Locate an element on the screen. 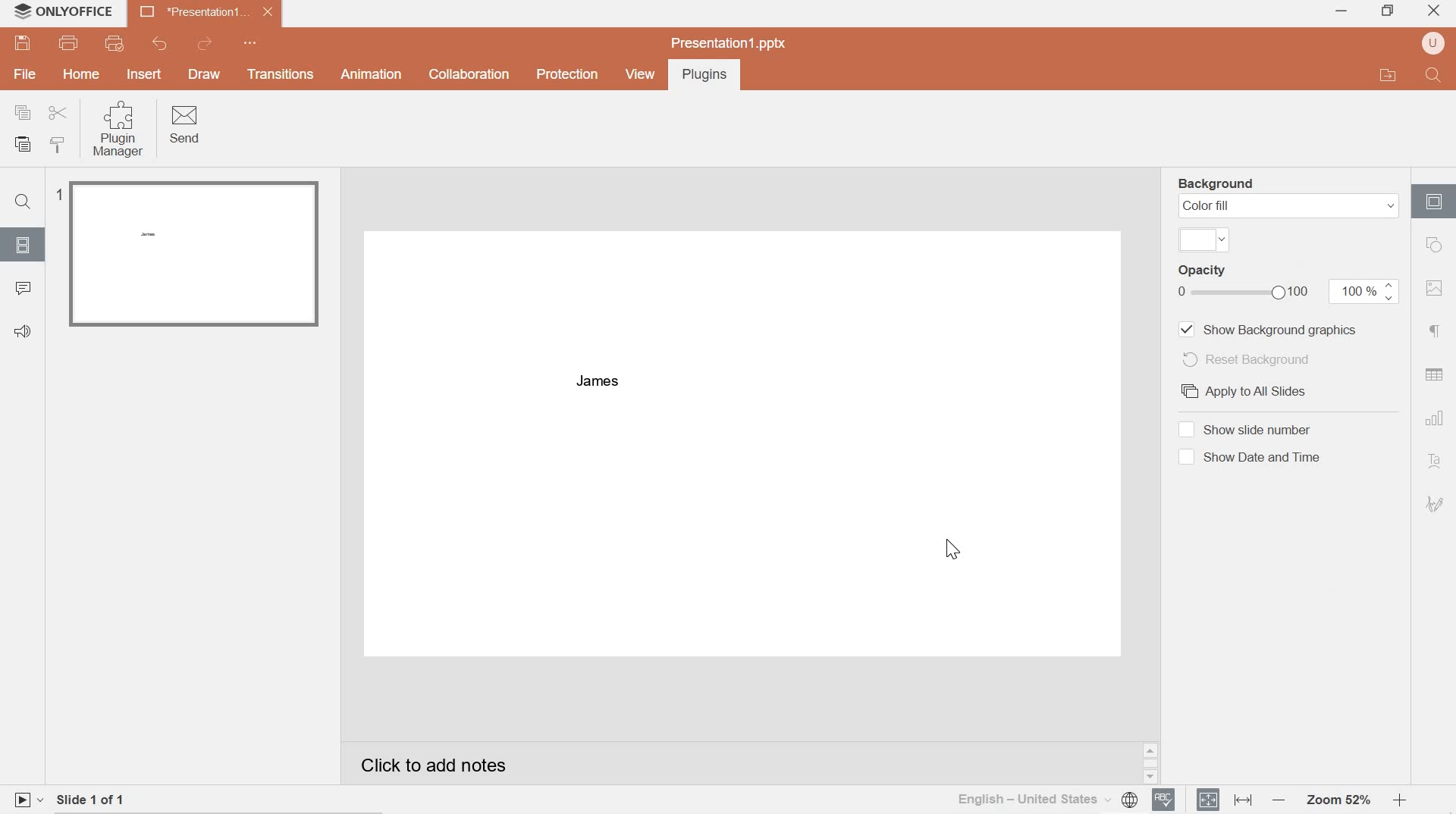 This screenshot has width=1456, height=814. slide 1 of 1 is located at coordinates (104, 797).